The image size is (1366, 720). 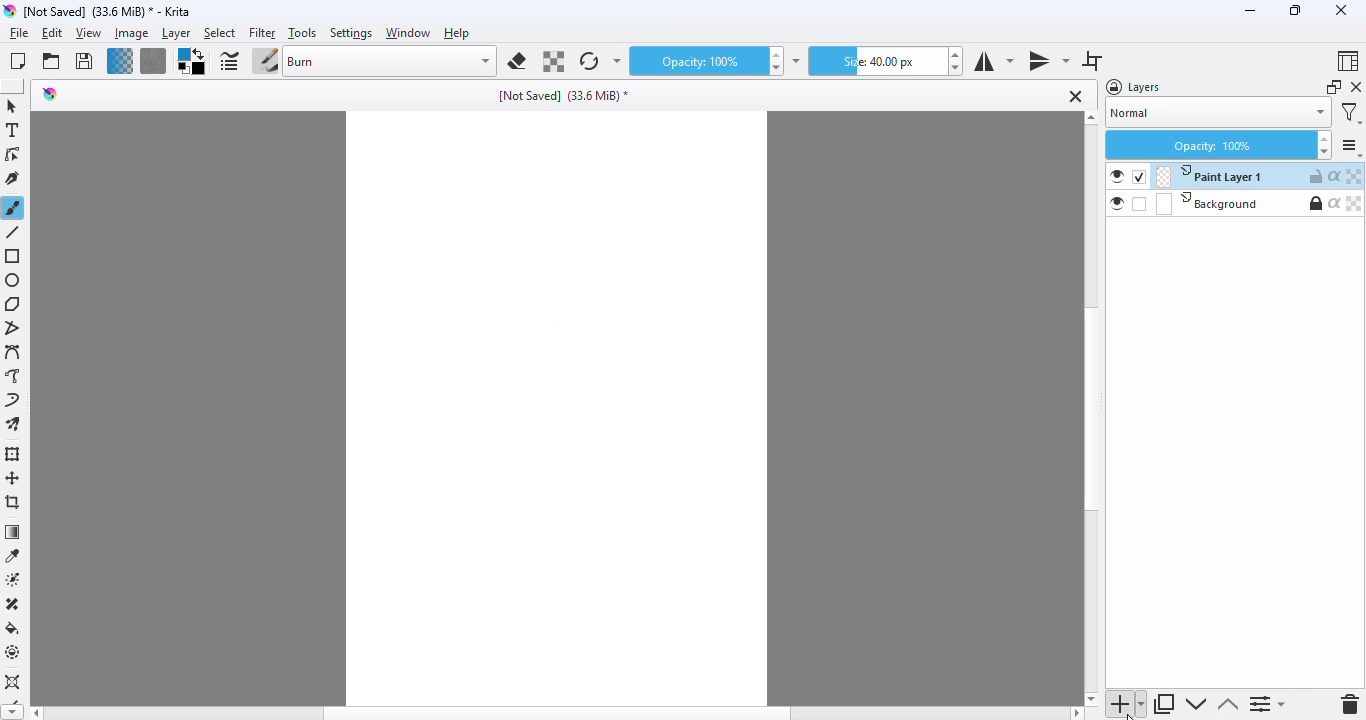 What do you see at coordinates (1335, 175) in the screenshot?
I see `inherit alpha: no` at bounding box center [1335, 175].